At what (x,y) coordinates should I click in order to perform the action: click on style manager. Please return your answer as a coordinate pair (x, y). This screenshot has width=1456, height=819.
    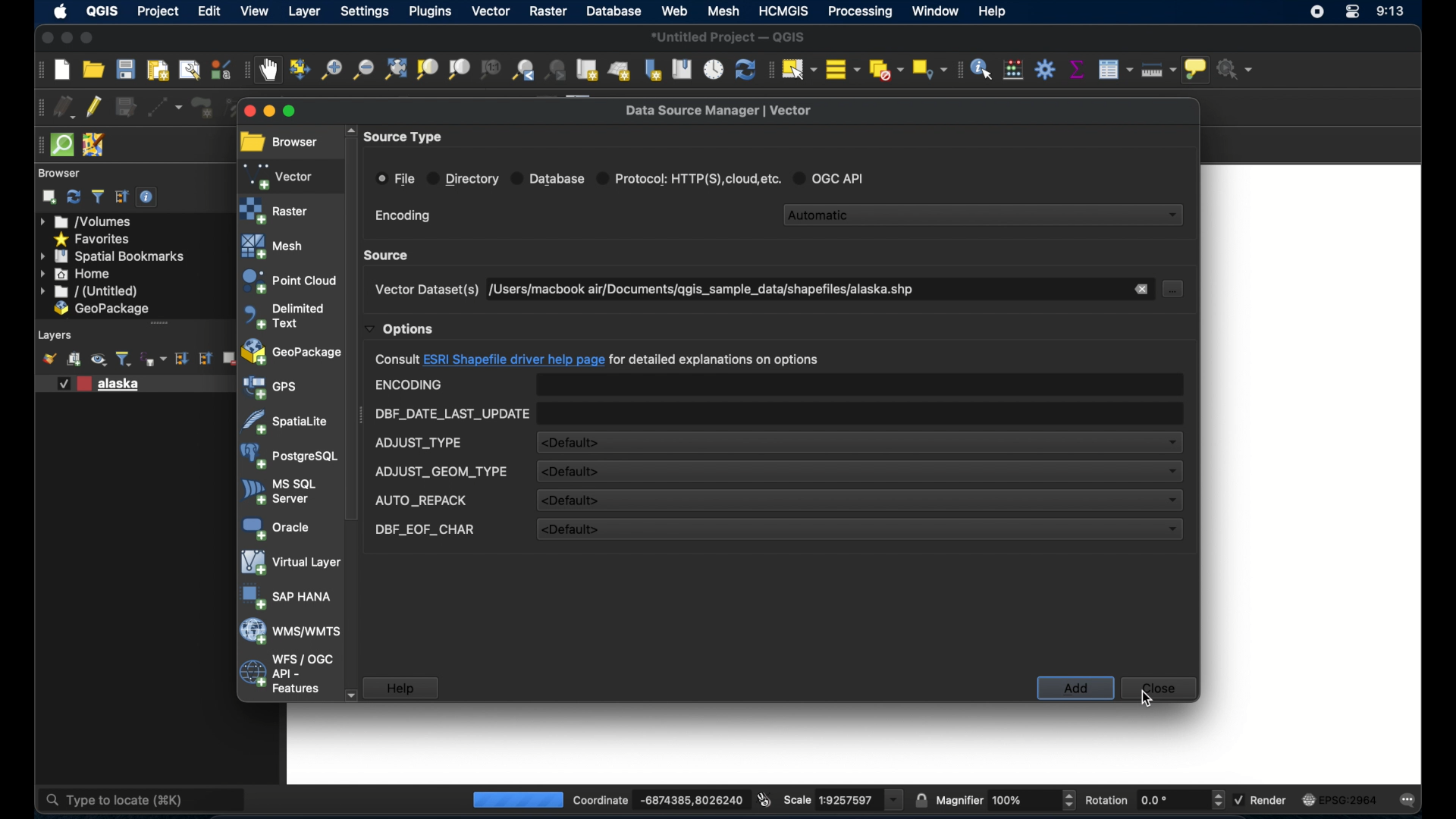
    Looking at the image, I should click on (220, 68).